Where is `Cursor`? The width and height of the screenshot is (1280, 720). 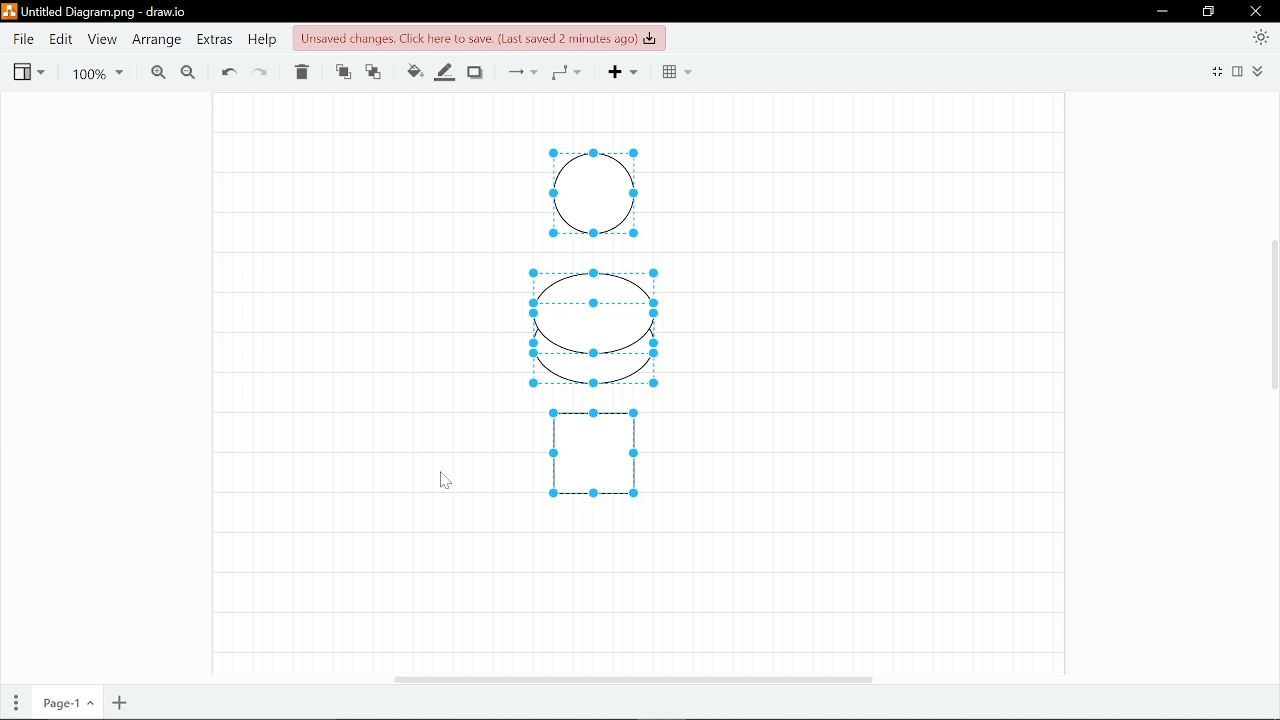 Cursor is located at coordinates (446, 480).